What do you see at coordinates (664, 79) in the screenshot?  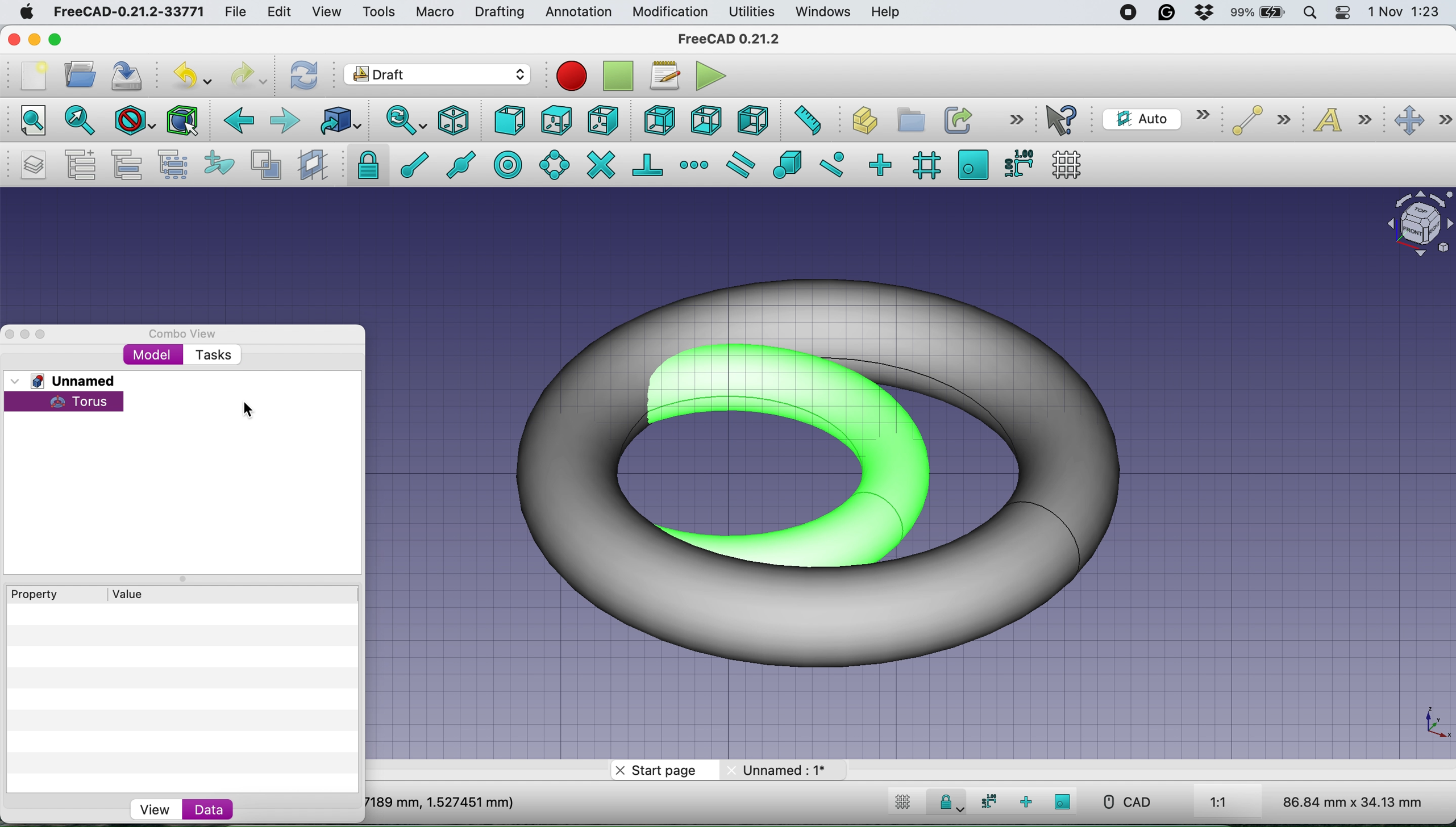 I see `macros` at bounding box center [664, 79].